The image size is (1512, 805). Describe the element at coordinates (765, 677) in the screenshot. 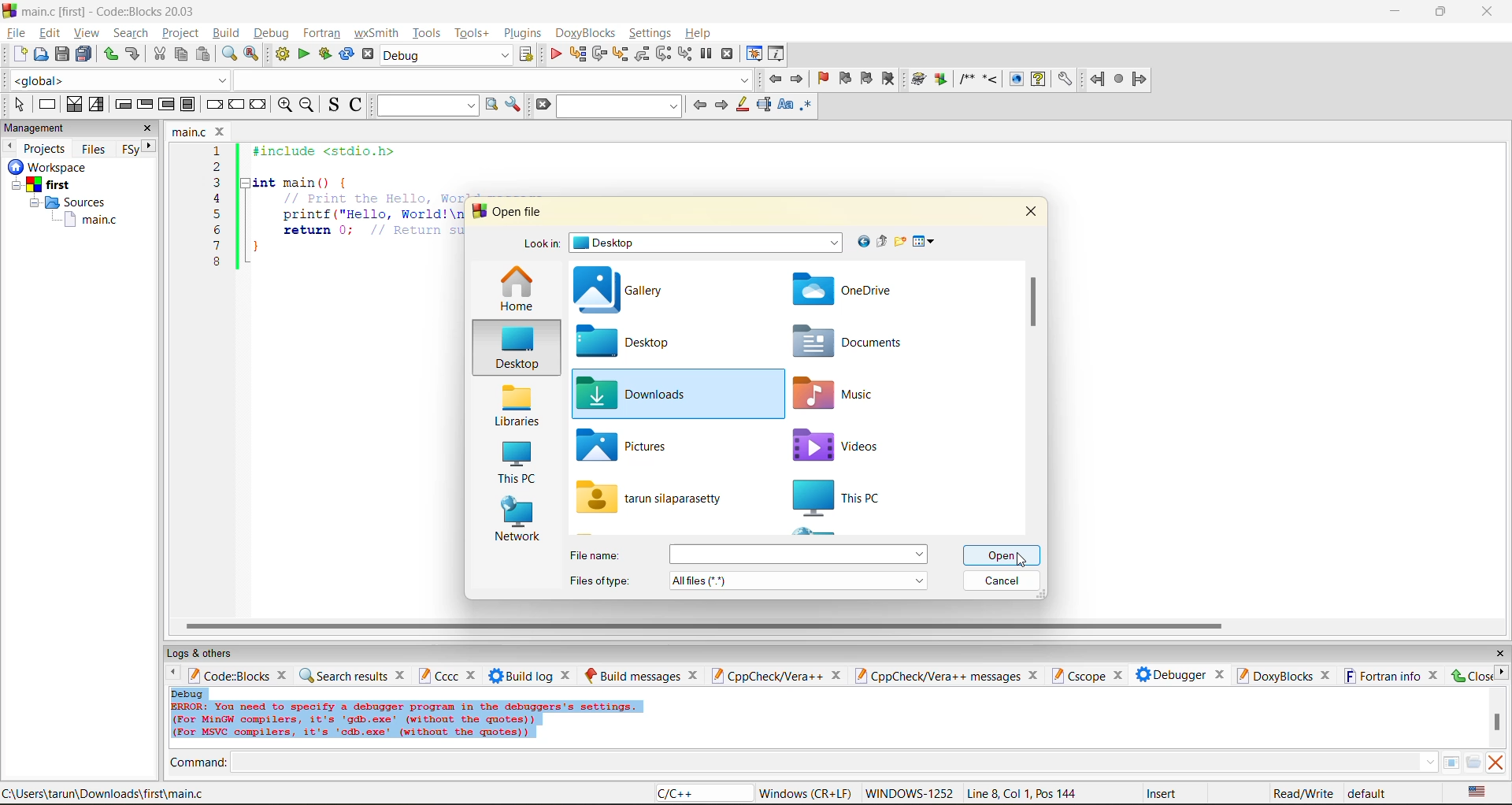

I see `cppcheck/vera++` at that location.